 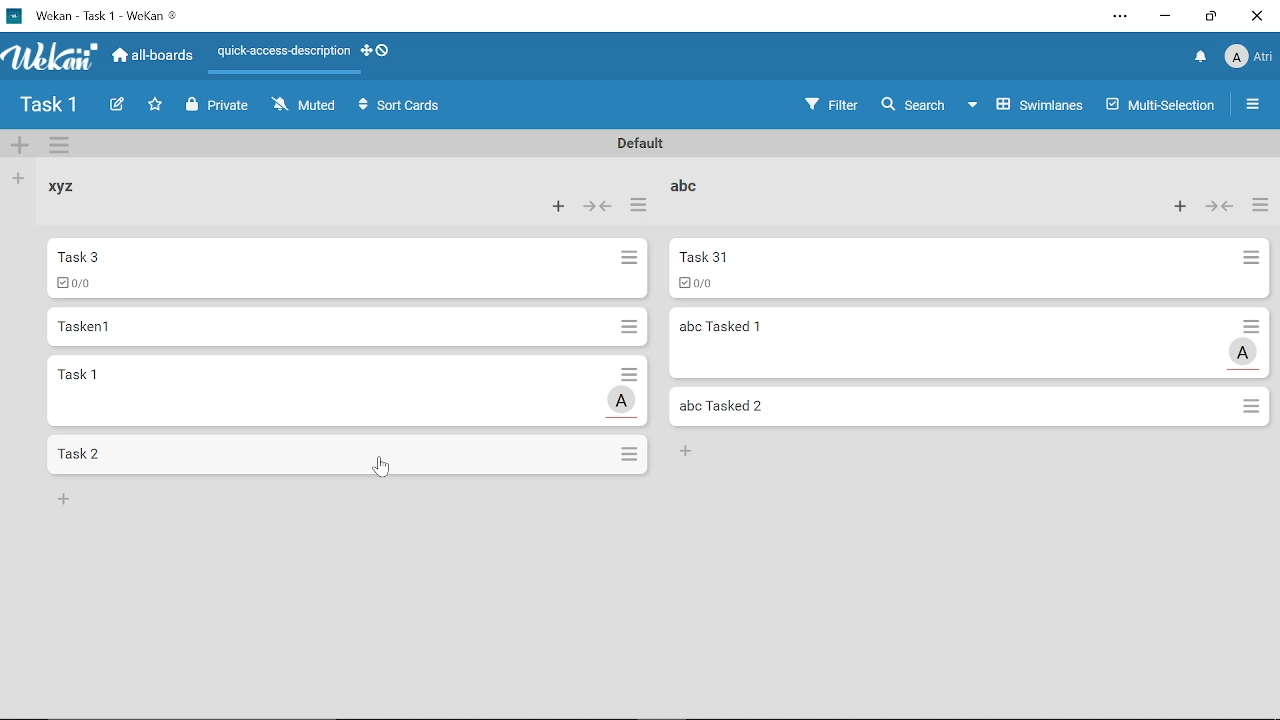 What do you see at coordinates (16, 178) in the screenshot?
I see `Add list` at bounding box center [16, 178].